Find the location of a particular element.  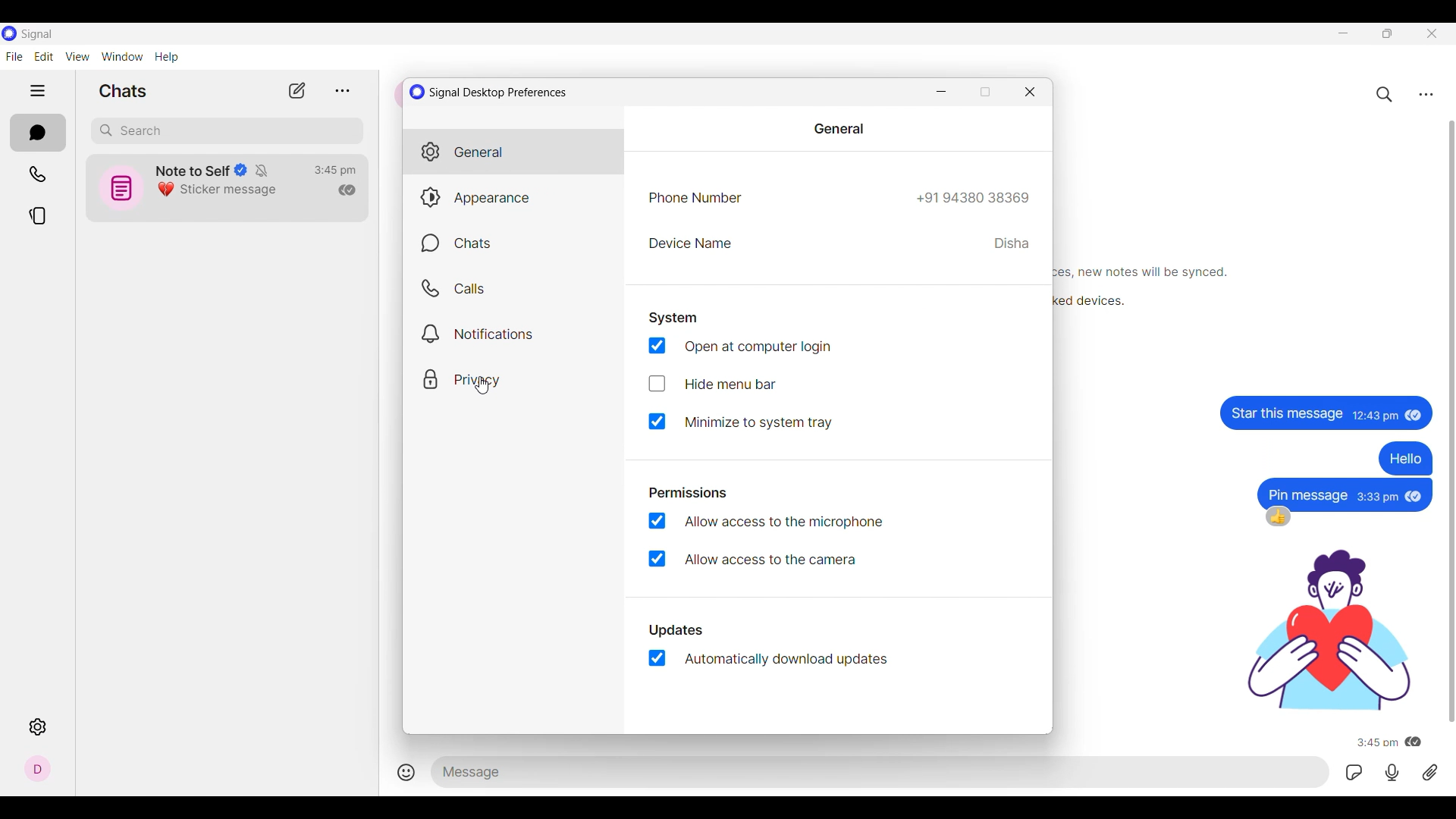

Description of selected icon is located at coordinates (122, 727).